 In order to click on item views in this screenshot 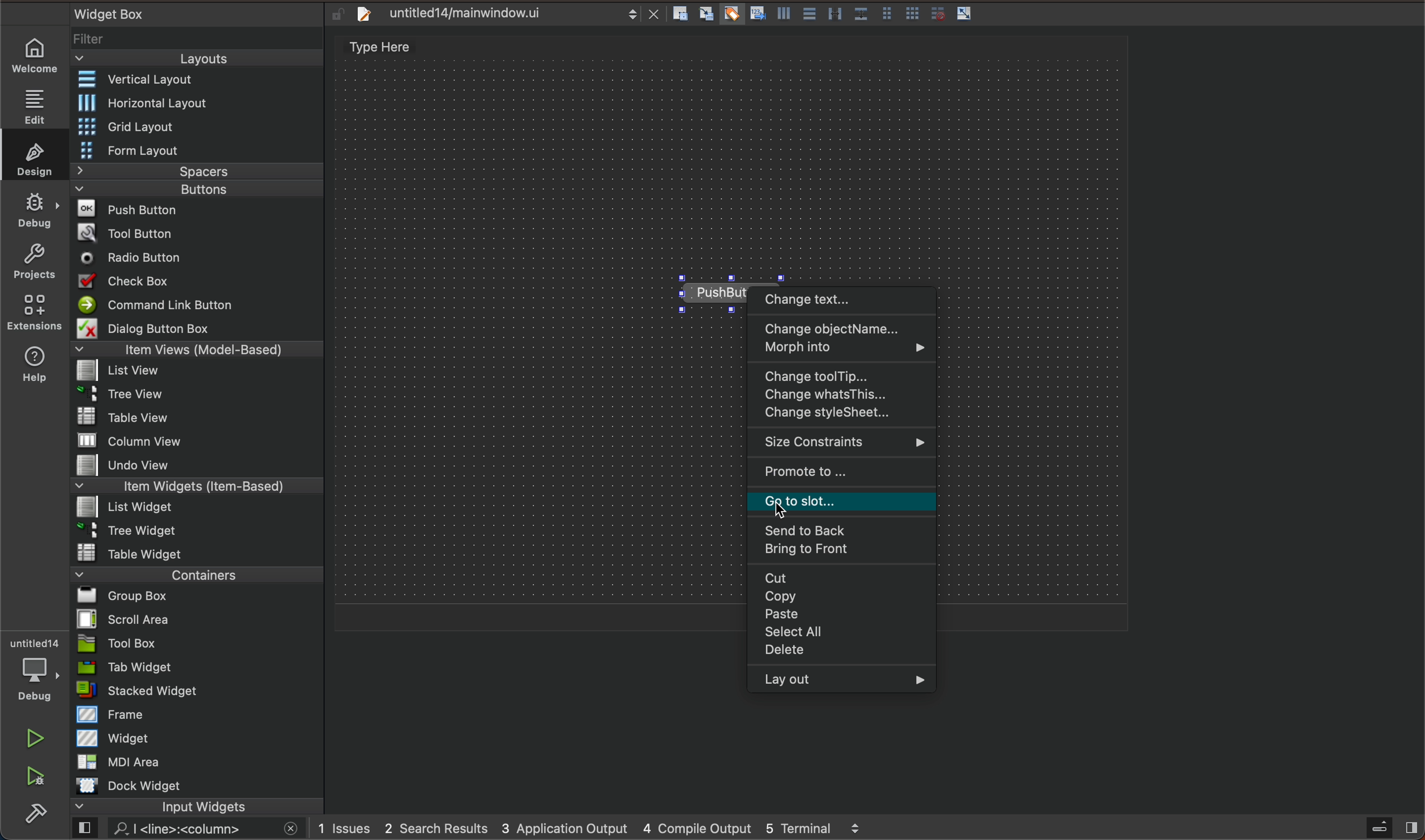, I will do `click(198, 352)`.